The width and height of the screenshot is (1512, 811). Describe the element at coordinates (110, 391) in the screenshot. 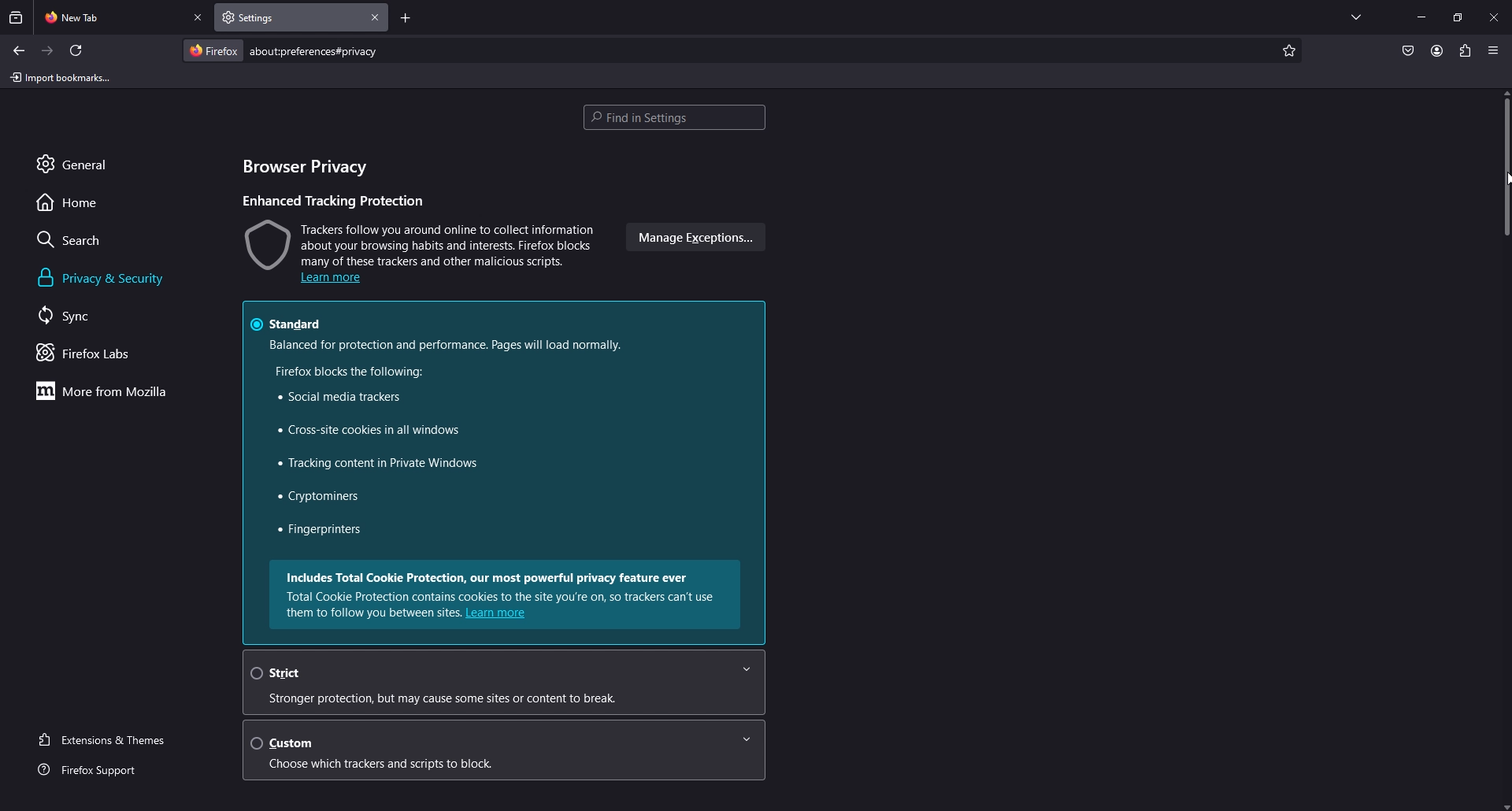

I see `more from mozilla` at that location.